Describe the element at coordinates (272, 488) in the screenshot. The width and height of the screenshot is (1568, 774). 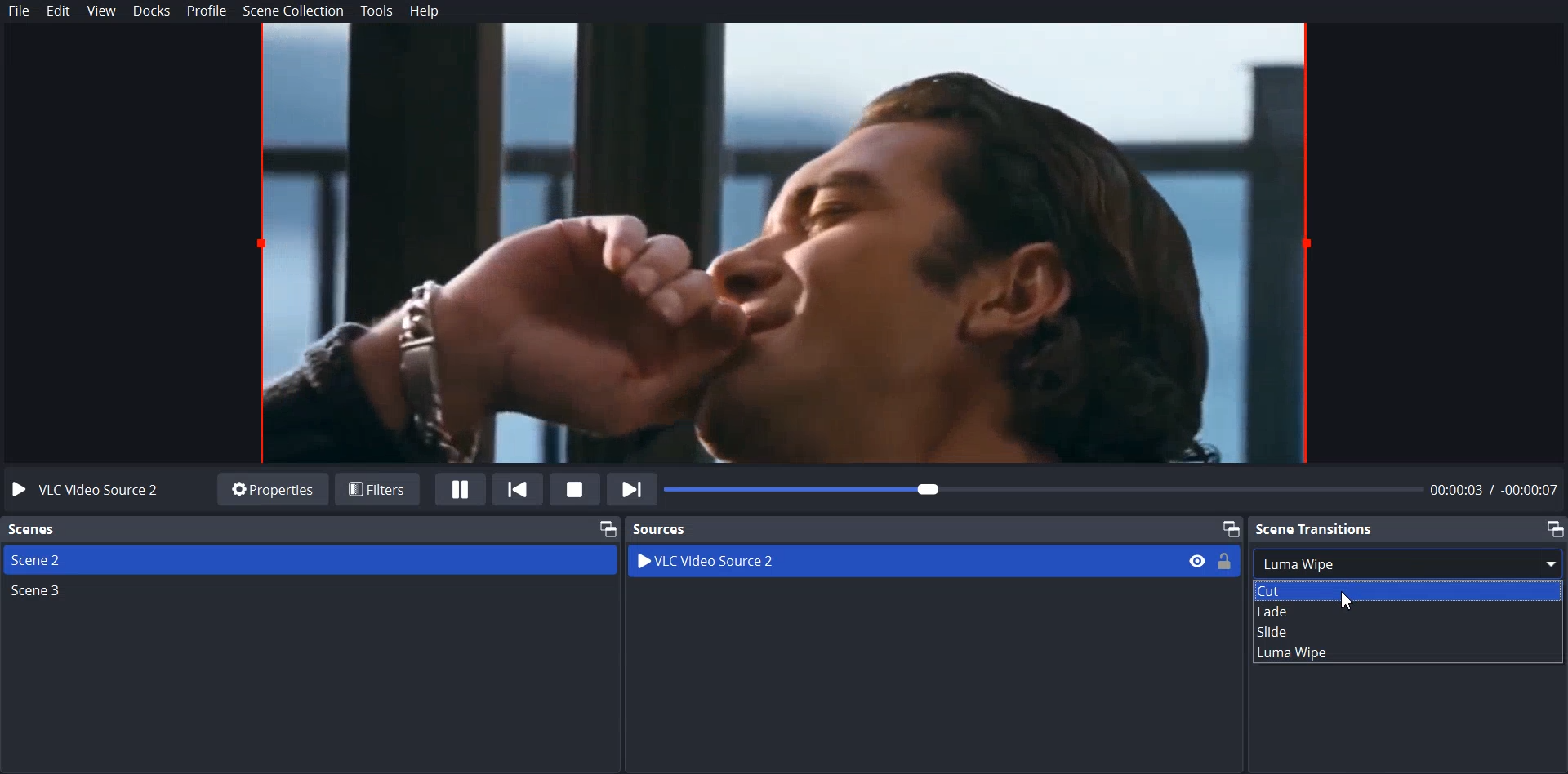
I see `Properties` at that location.